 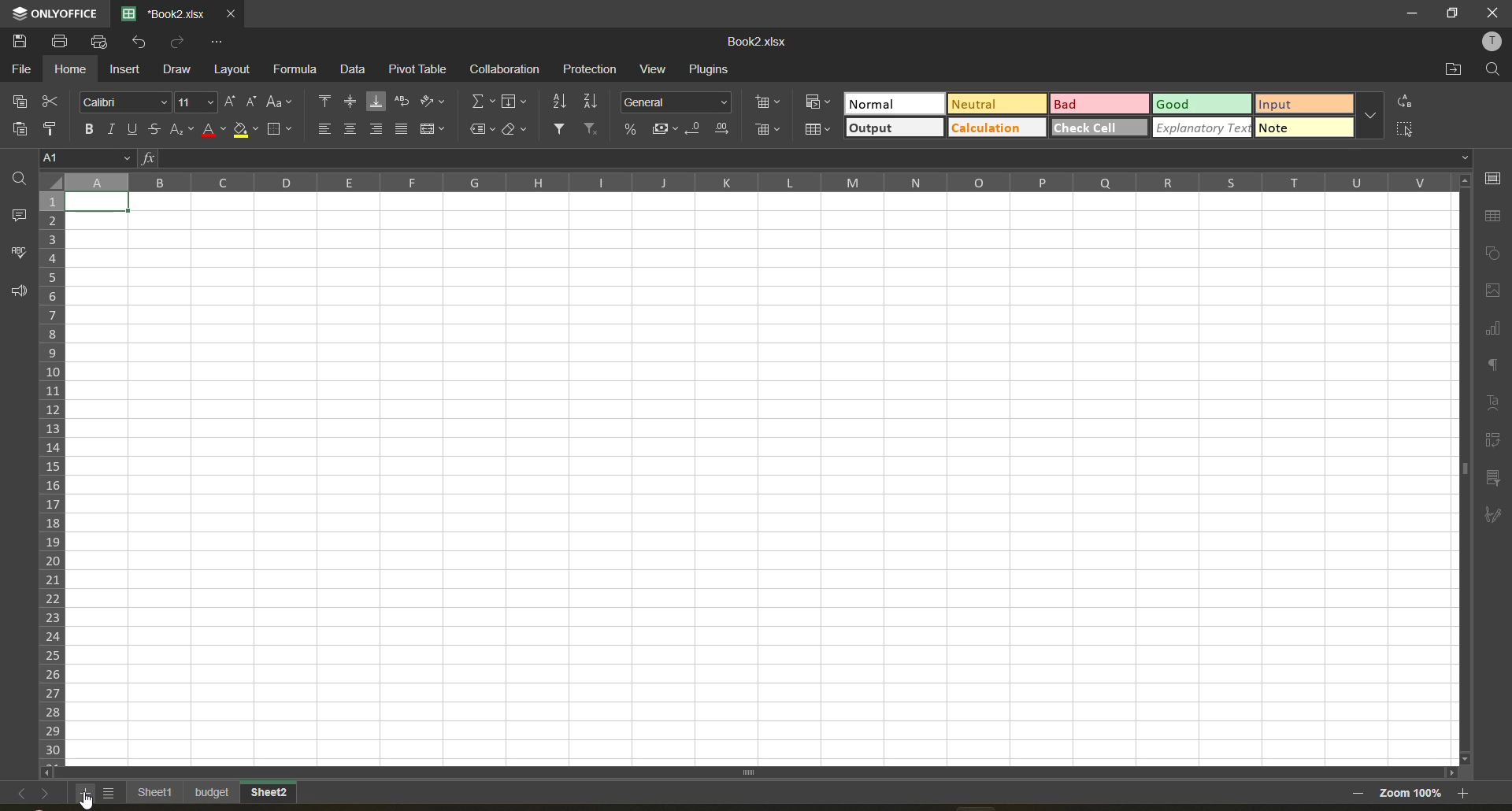 What do you see at coordinates (50, 131) in the screenshot?
I see `copy style` at bounding box center [50, 131].